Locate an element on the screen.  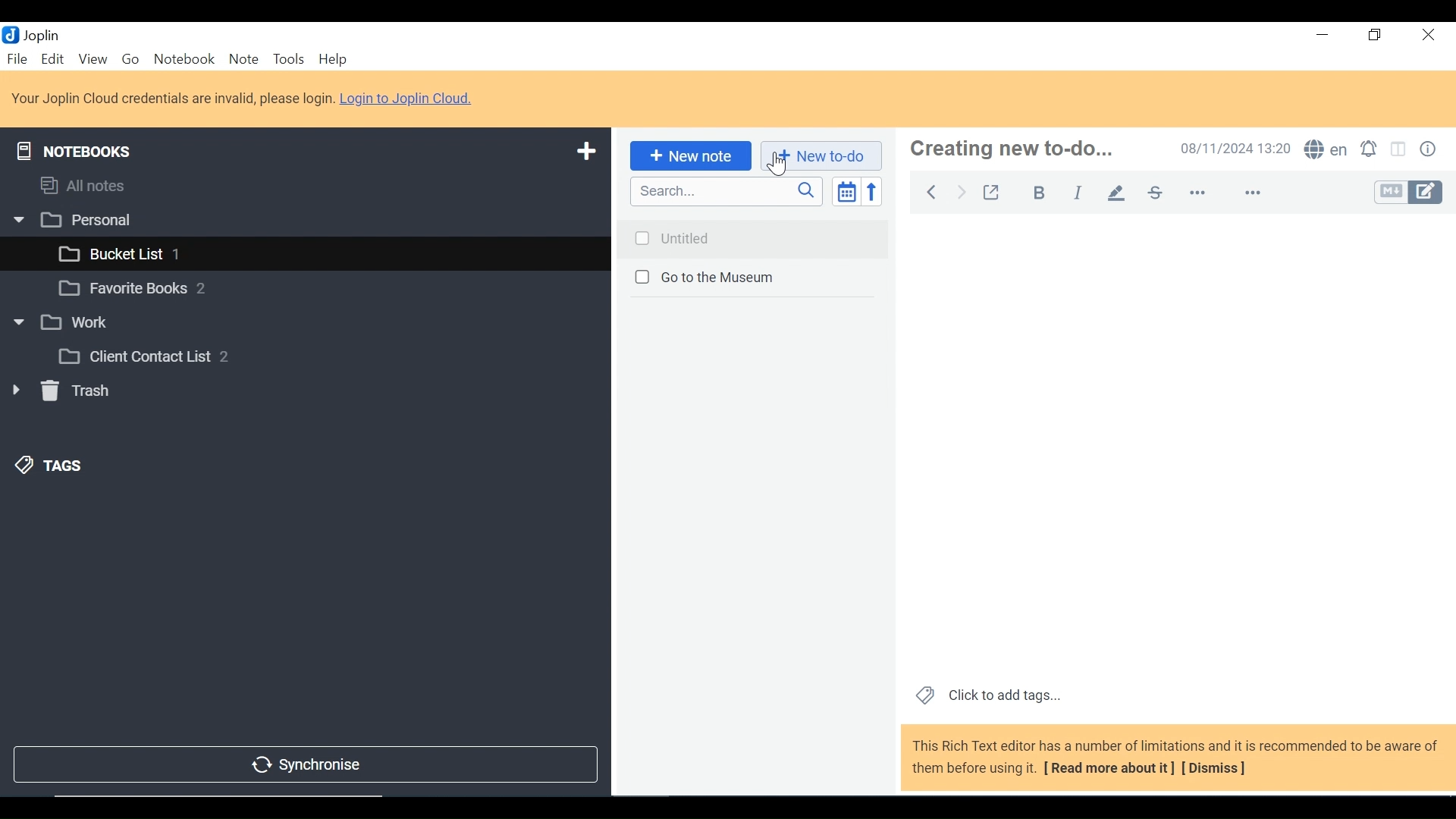
Set alarm is located at coordinates (1372, 150).